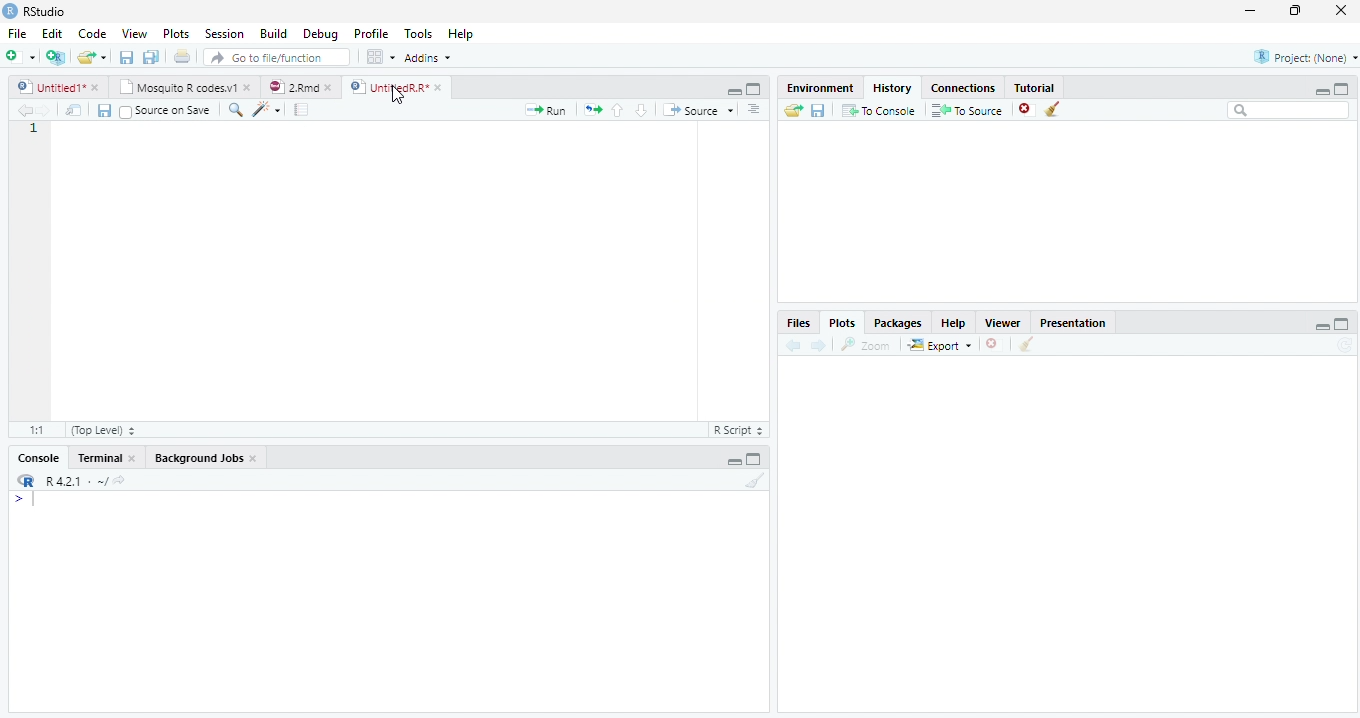 This screenshot has width=1360, height=718. I want to click on Load workspace, so click(790, 112).